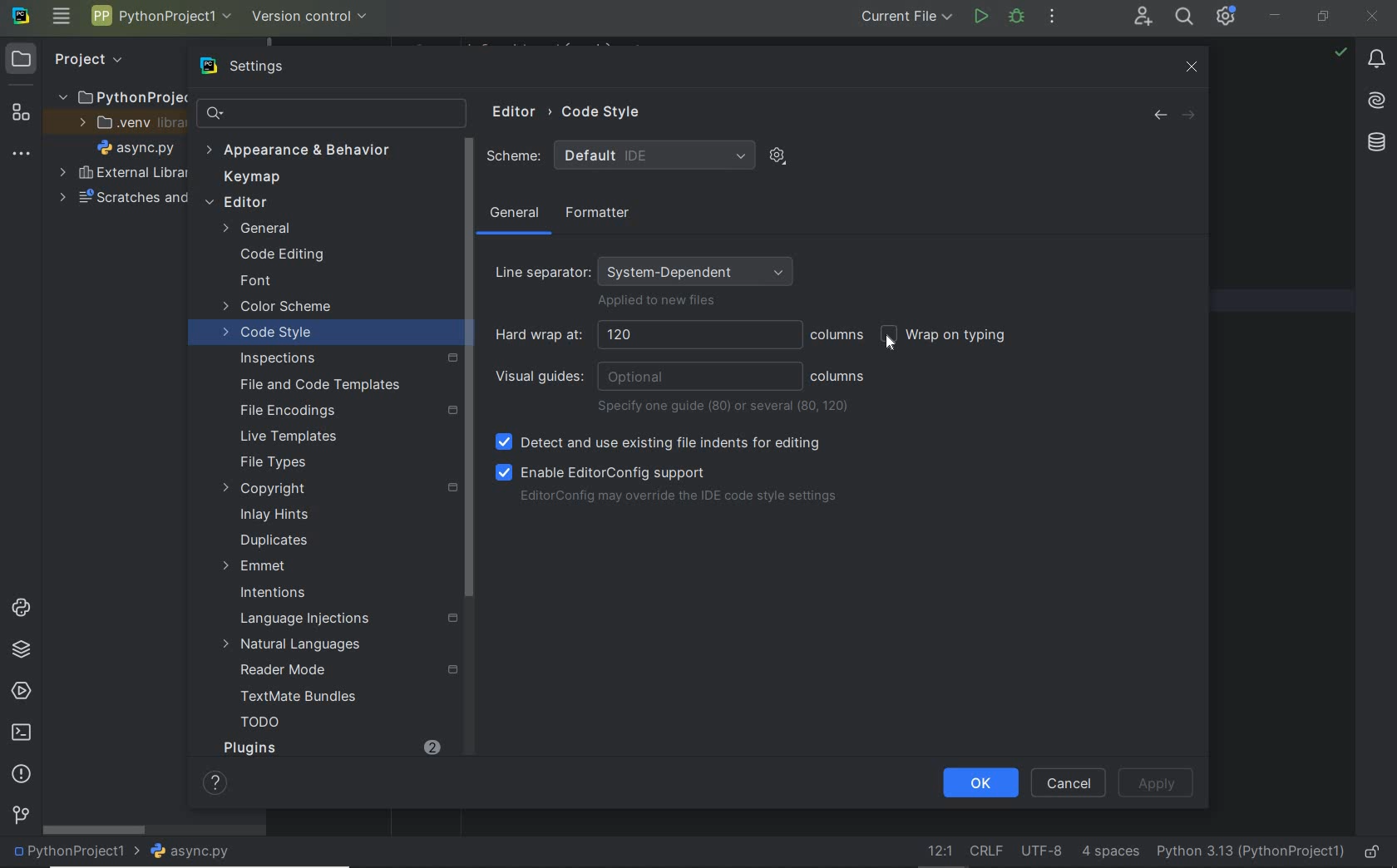 The image size is (1397, 868). I want to click on services, so click(20, 692).